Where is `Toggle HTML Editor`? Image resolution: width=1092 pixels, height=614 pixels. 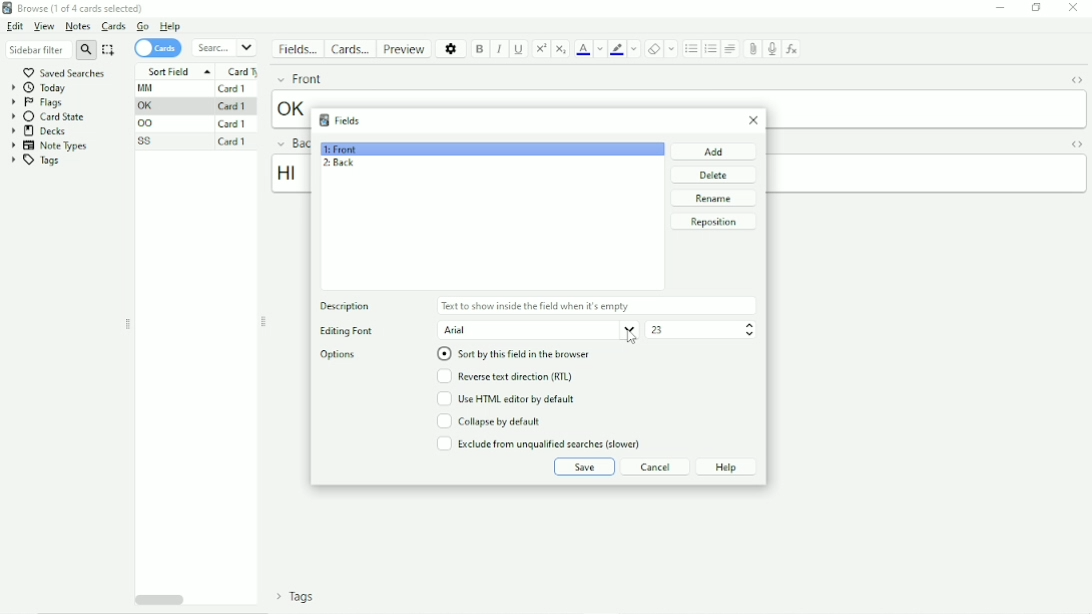
Toggle HTML Editor is located at coordinates (1074, 79).